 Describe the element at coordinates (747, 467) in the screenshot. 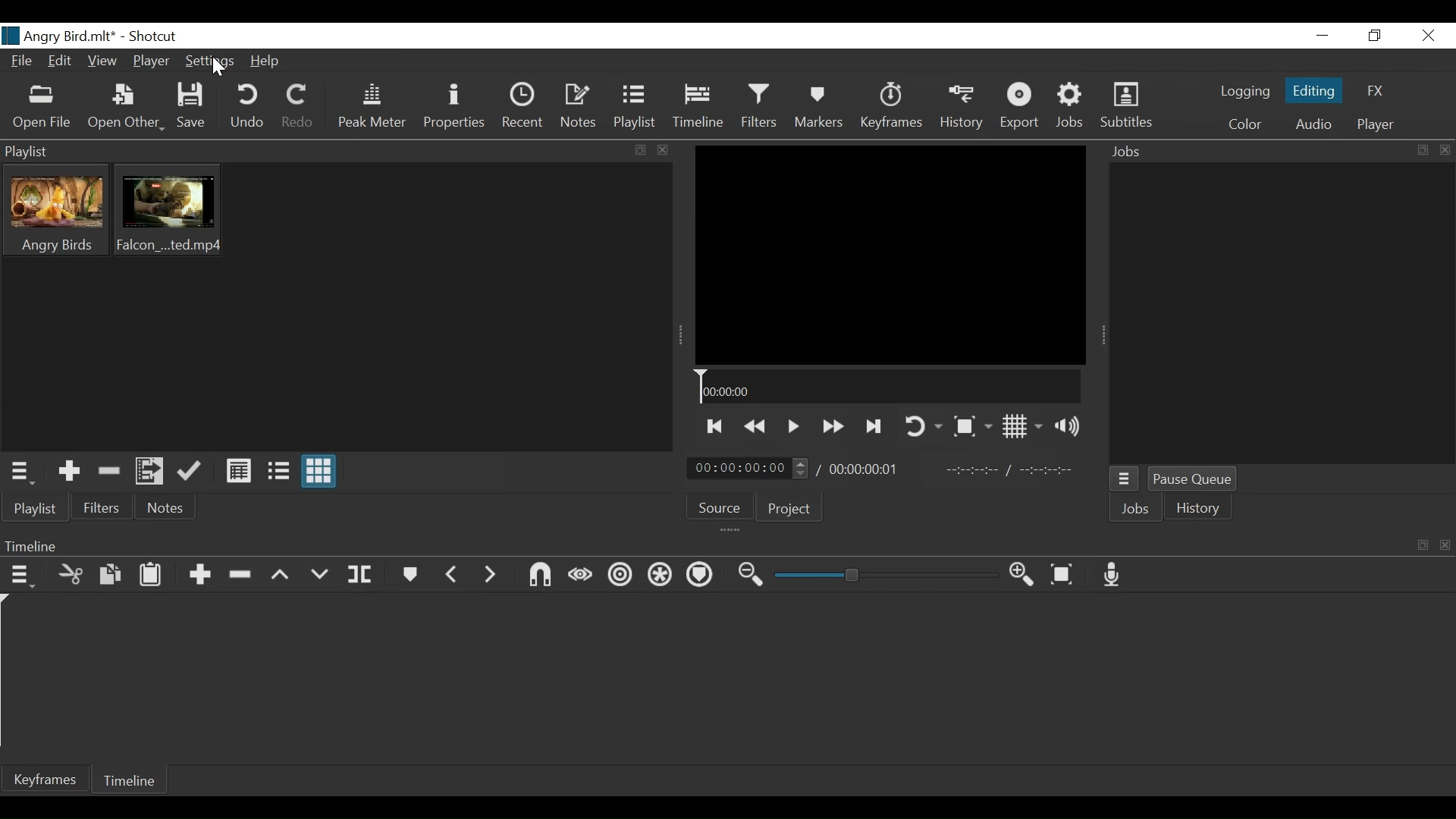

I see `Current Position` at that location.